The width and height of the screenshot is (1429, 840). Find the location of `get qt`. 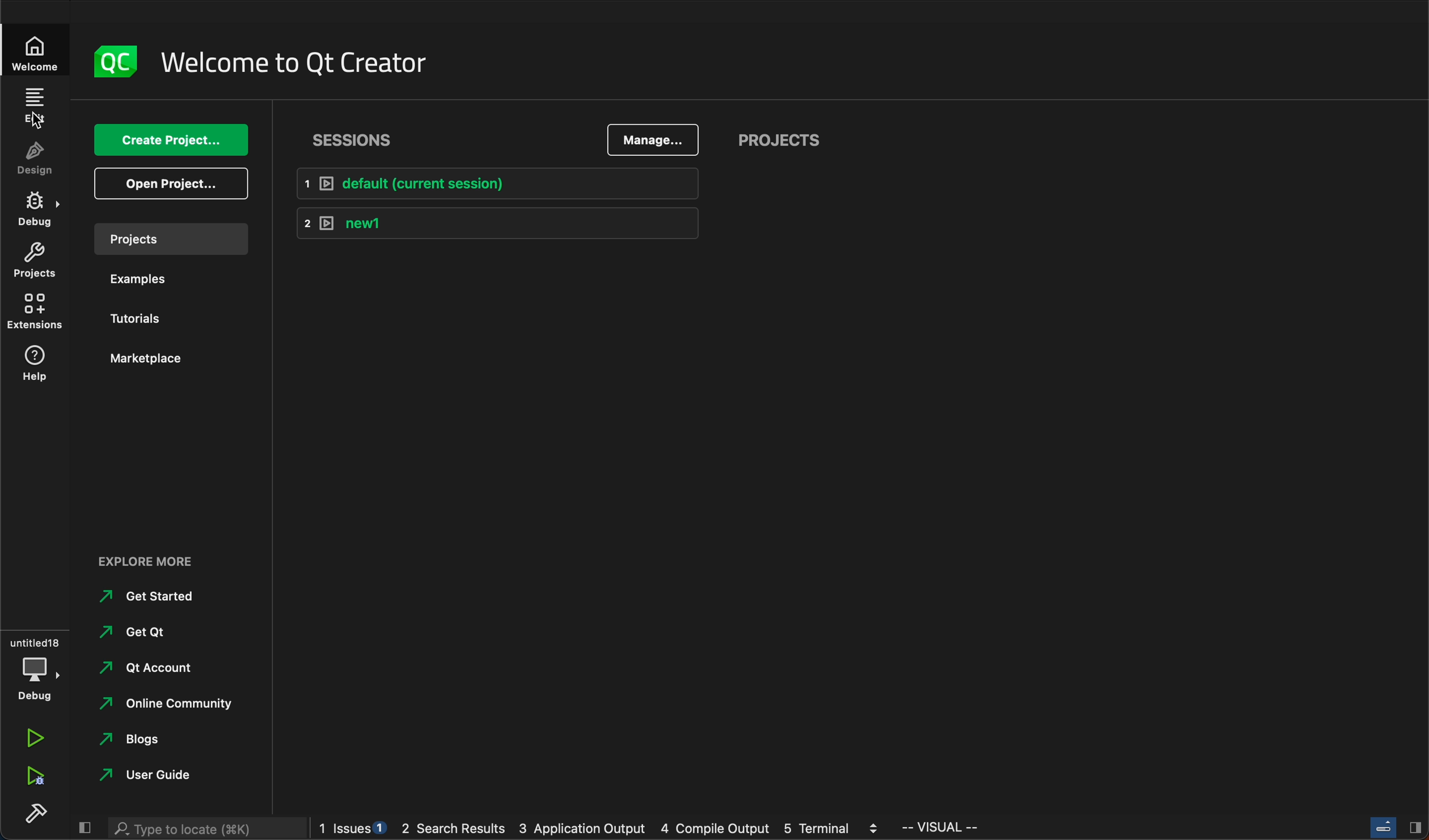

get qt is located at coordinates (149, 633).